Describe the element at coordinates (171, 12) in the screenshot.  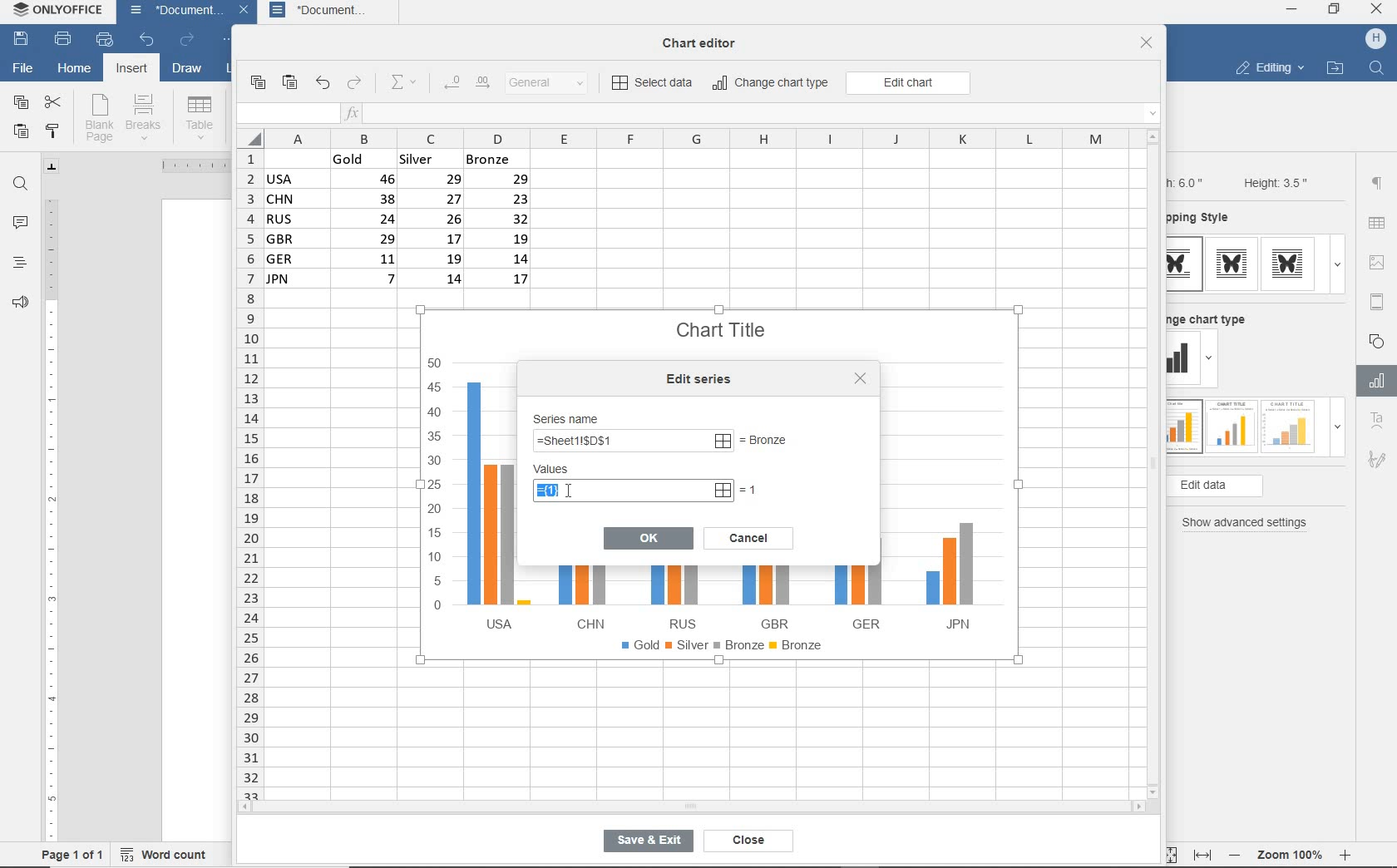
I see `document name` at that location.